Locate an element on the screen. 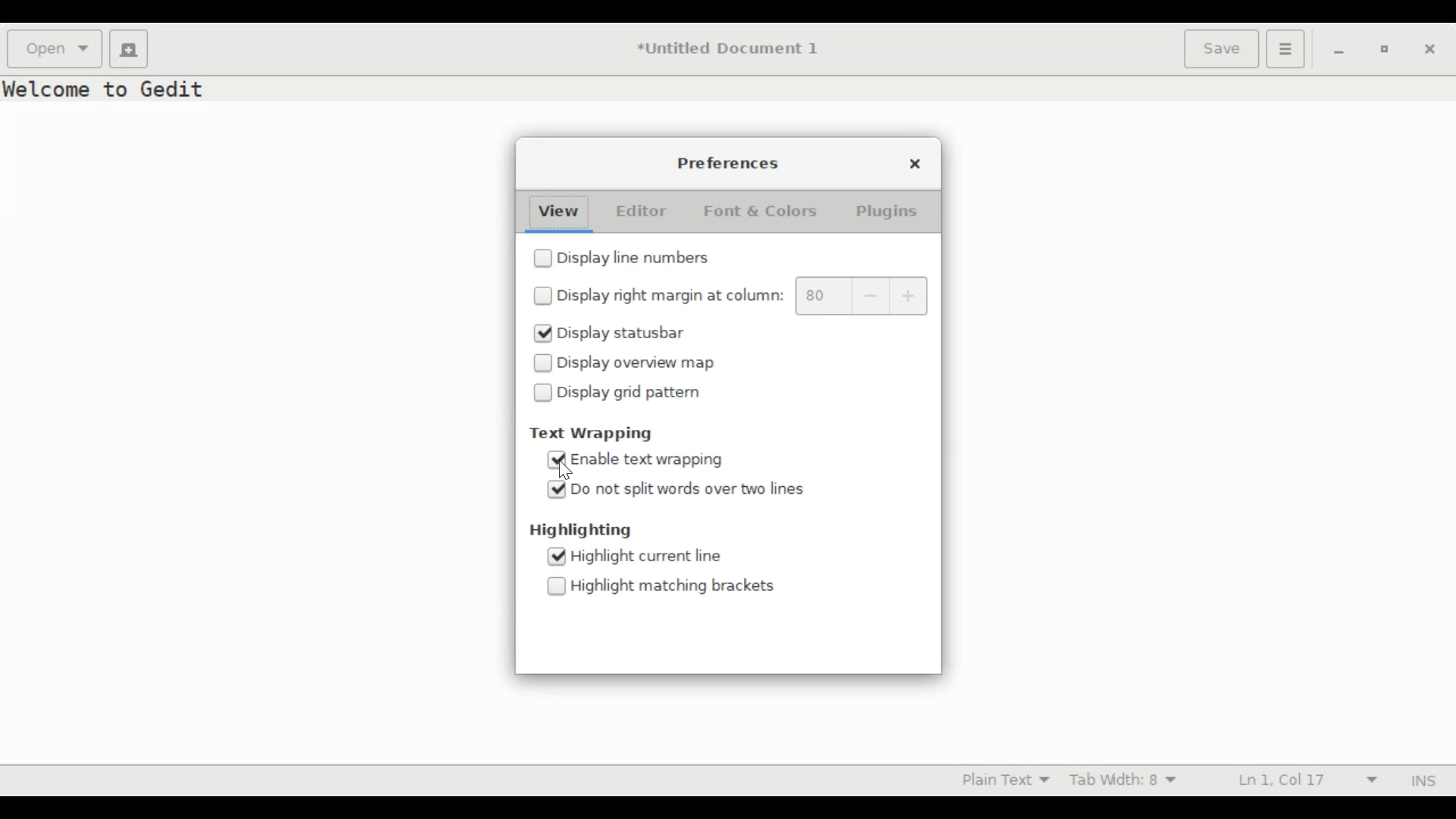  checkbox is located at coordinates (543, 395).